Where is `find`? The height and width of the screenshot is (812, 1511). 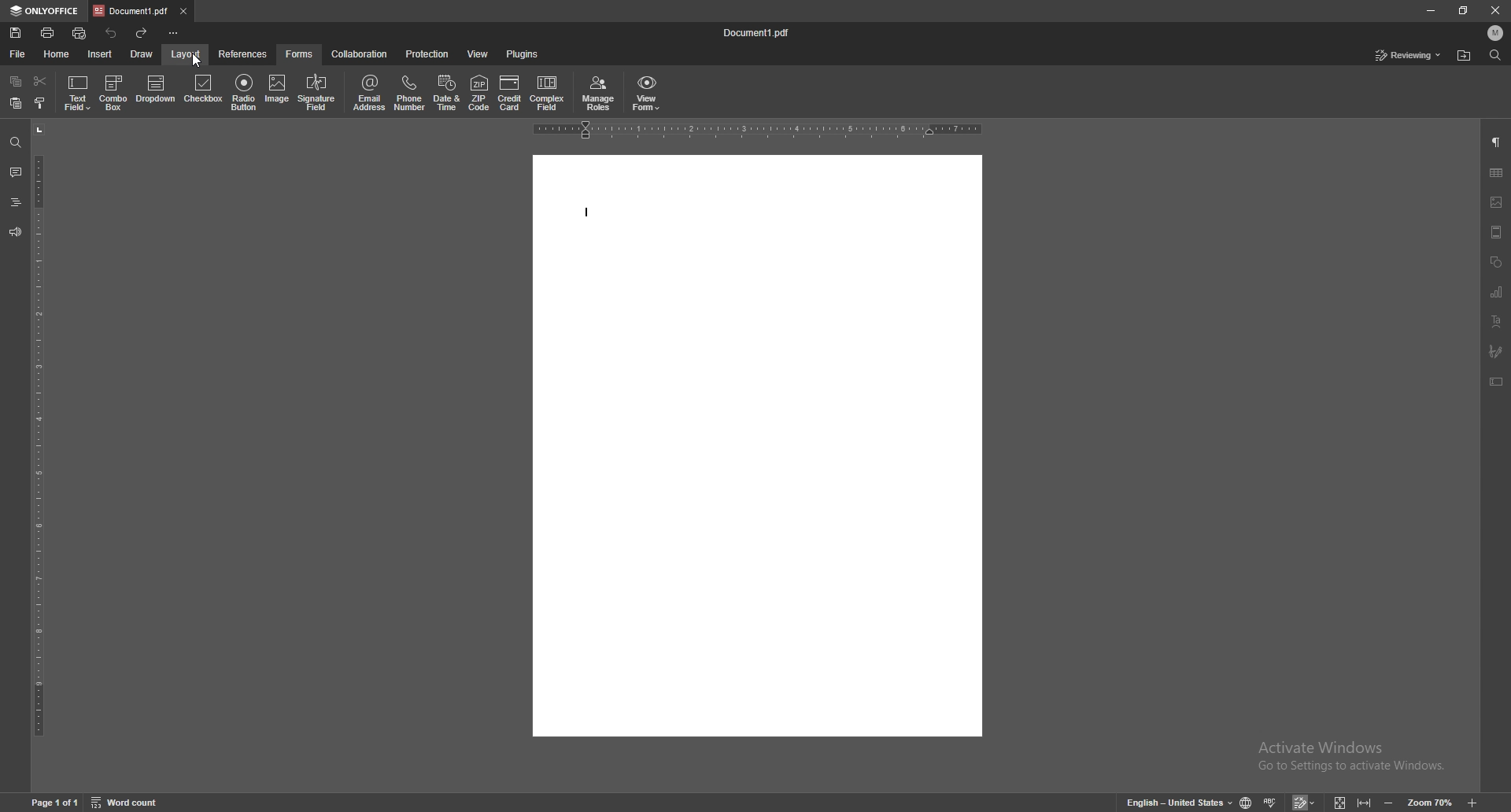
find is located at coordinates (1496, 55).